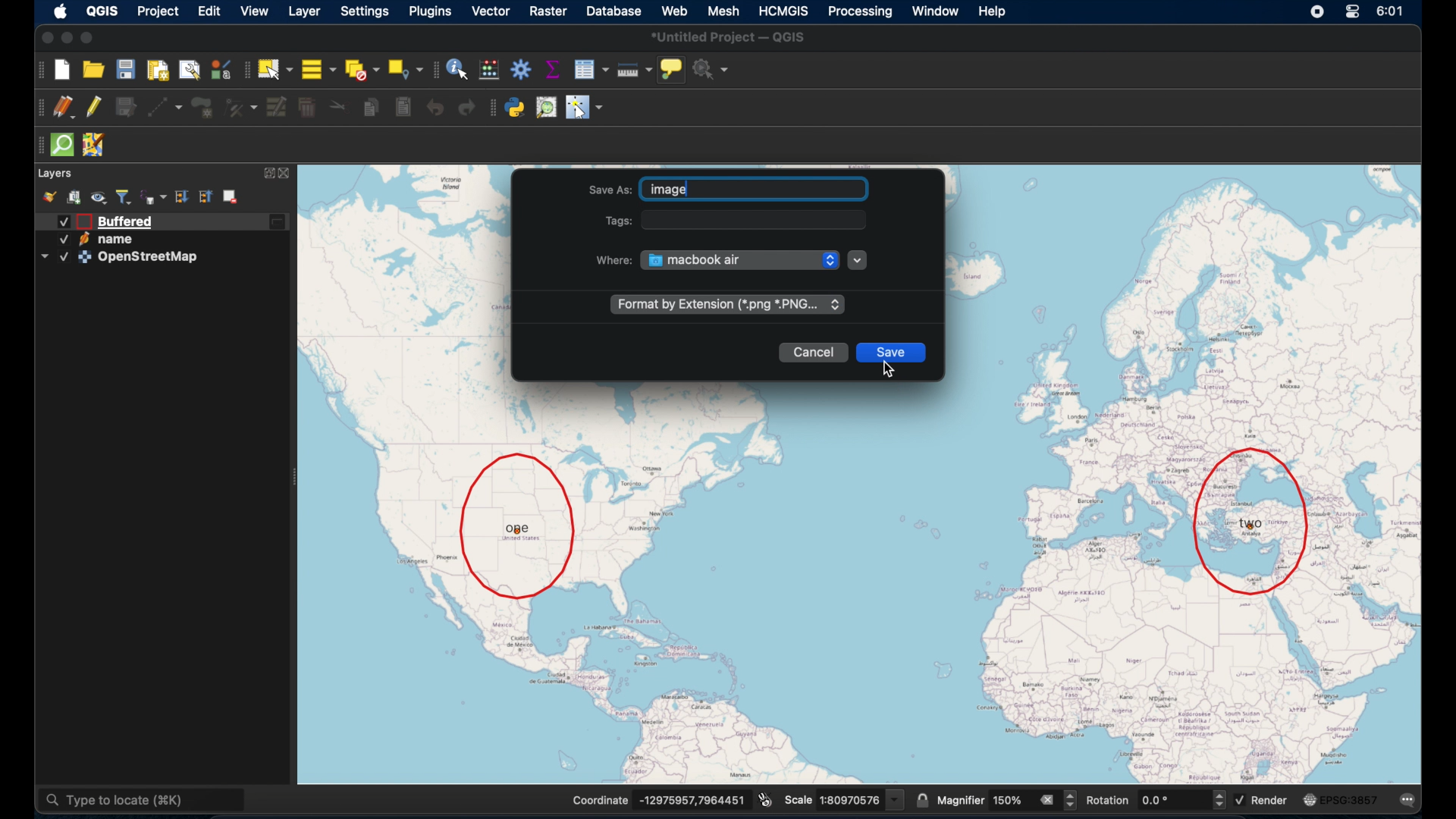 The height and width of the screenshot is (819, 1456). Describe the element at coordinates (371, 108) in the screenshot. I see `copy features` at that location.